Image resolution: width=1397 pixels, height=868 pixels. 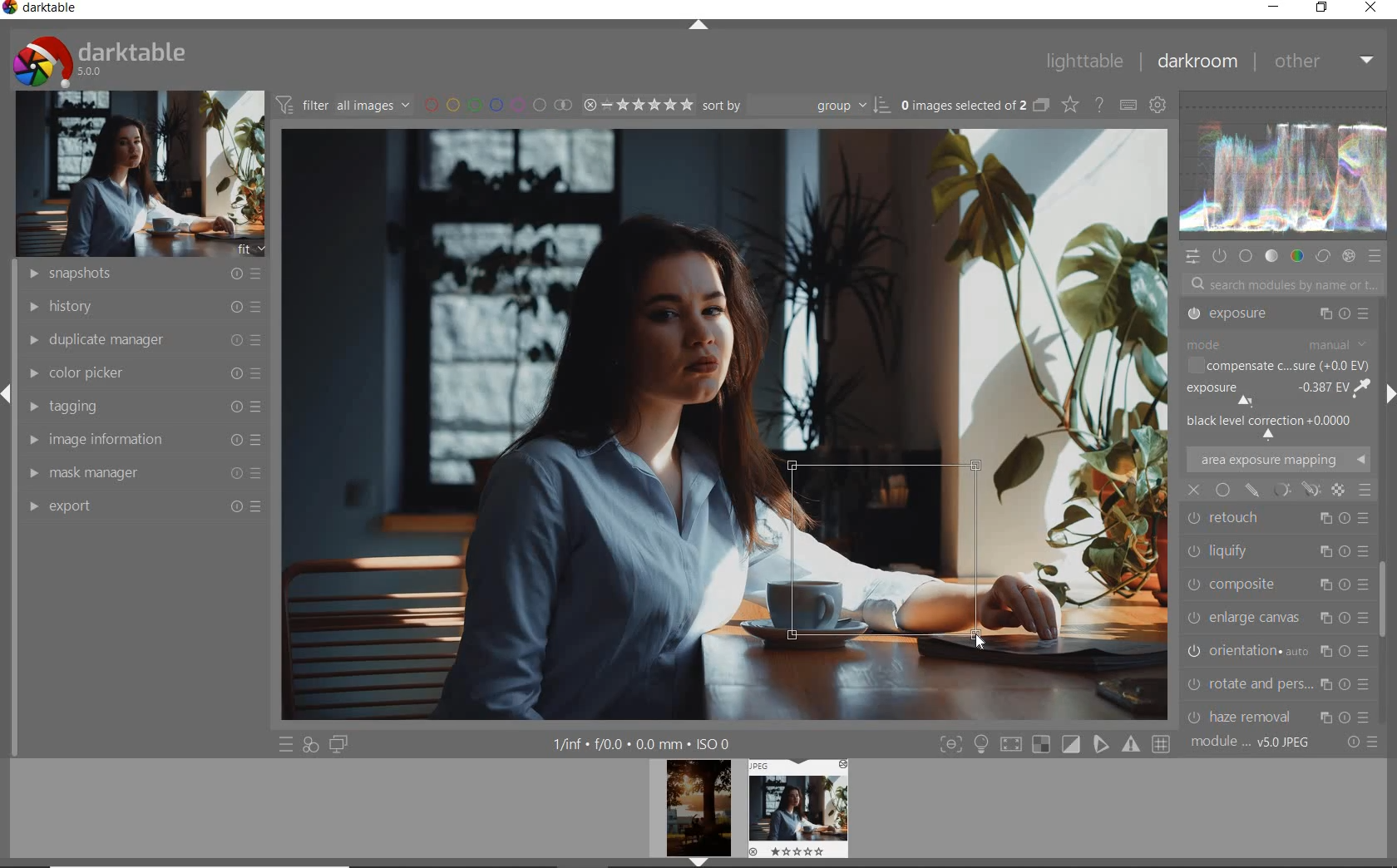 What do you see at coordinates (141, 405) in the screenshot?
I see `TAGGING` at bounding box center [141, 405].